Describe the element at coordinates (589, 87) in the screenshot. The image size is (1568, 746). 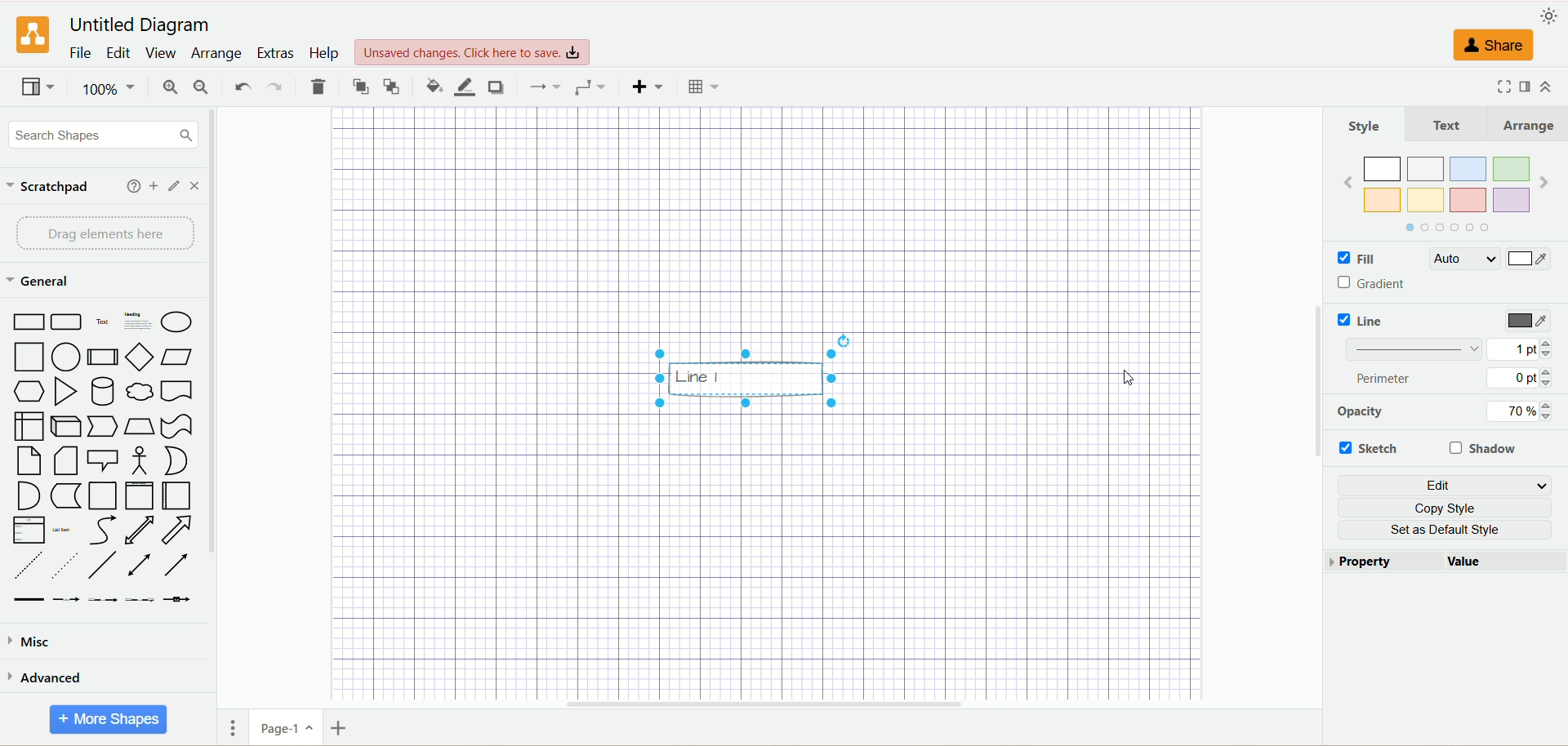
I see `waypoint` at that location.